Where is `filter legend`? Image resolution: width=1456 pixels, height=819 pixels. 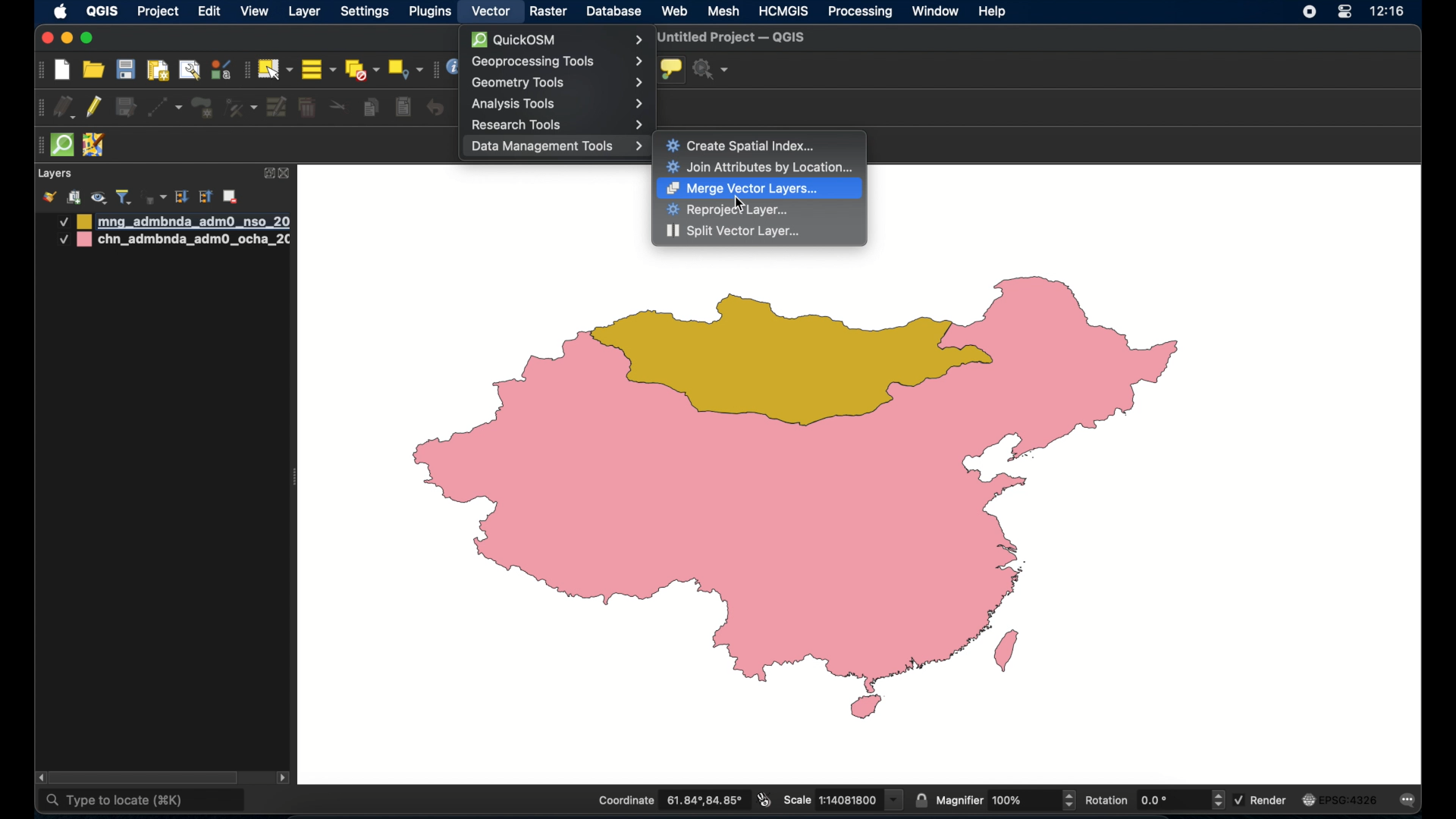 filter legend is located at coordinates (124, 197).